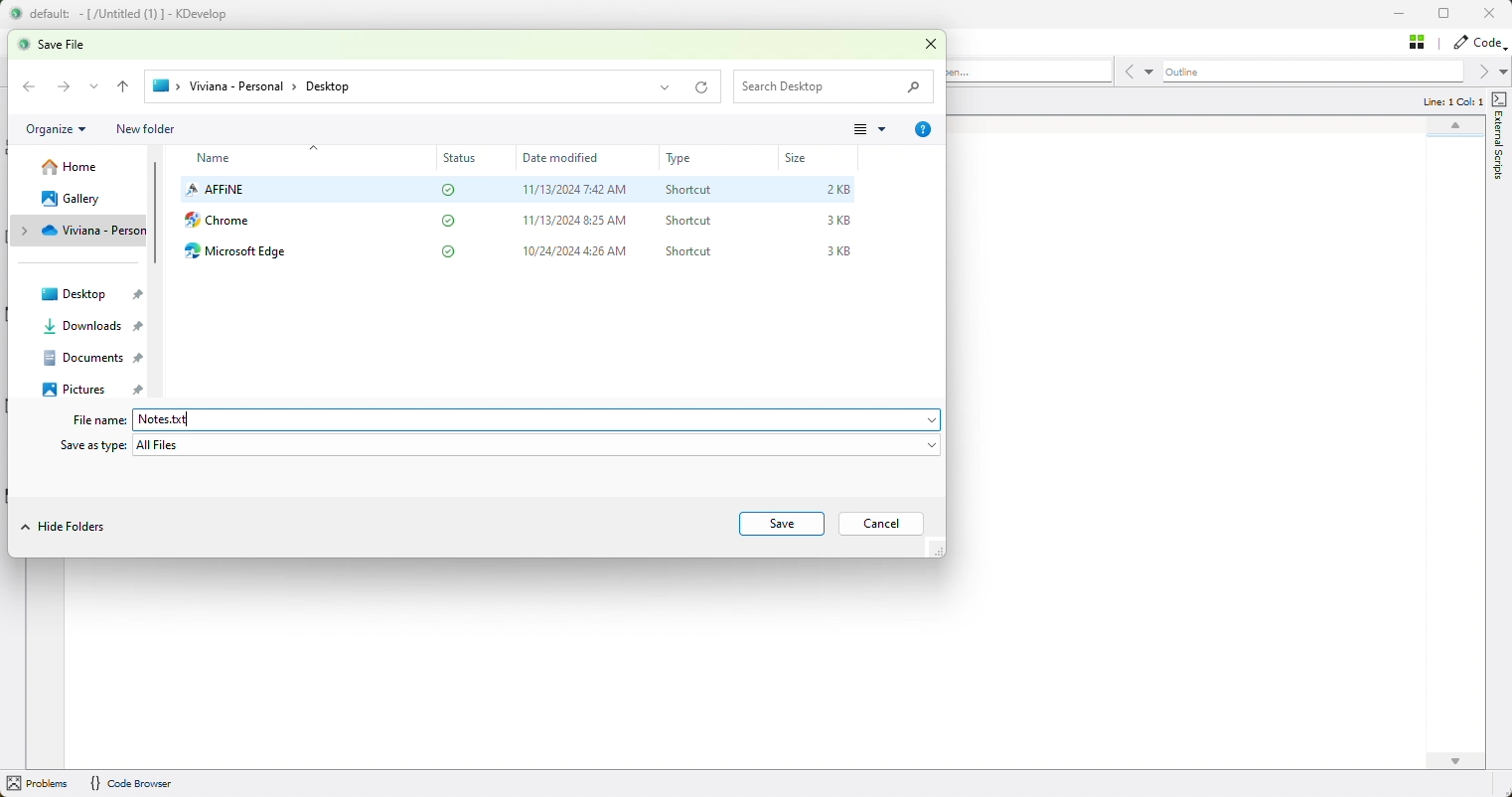 The image size is (1512, 797). Describe the element at coordinates (64, 44) in the screenshot. I see `save file` at that location.